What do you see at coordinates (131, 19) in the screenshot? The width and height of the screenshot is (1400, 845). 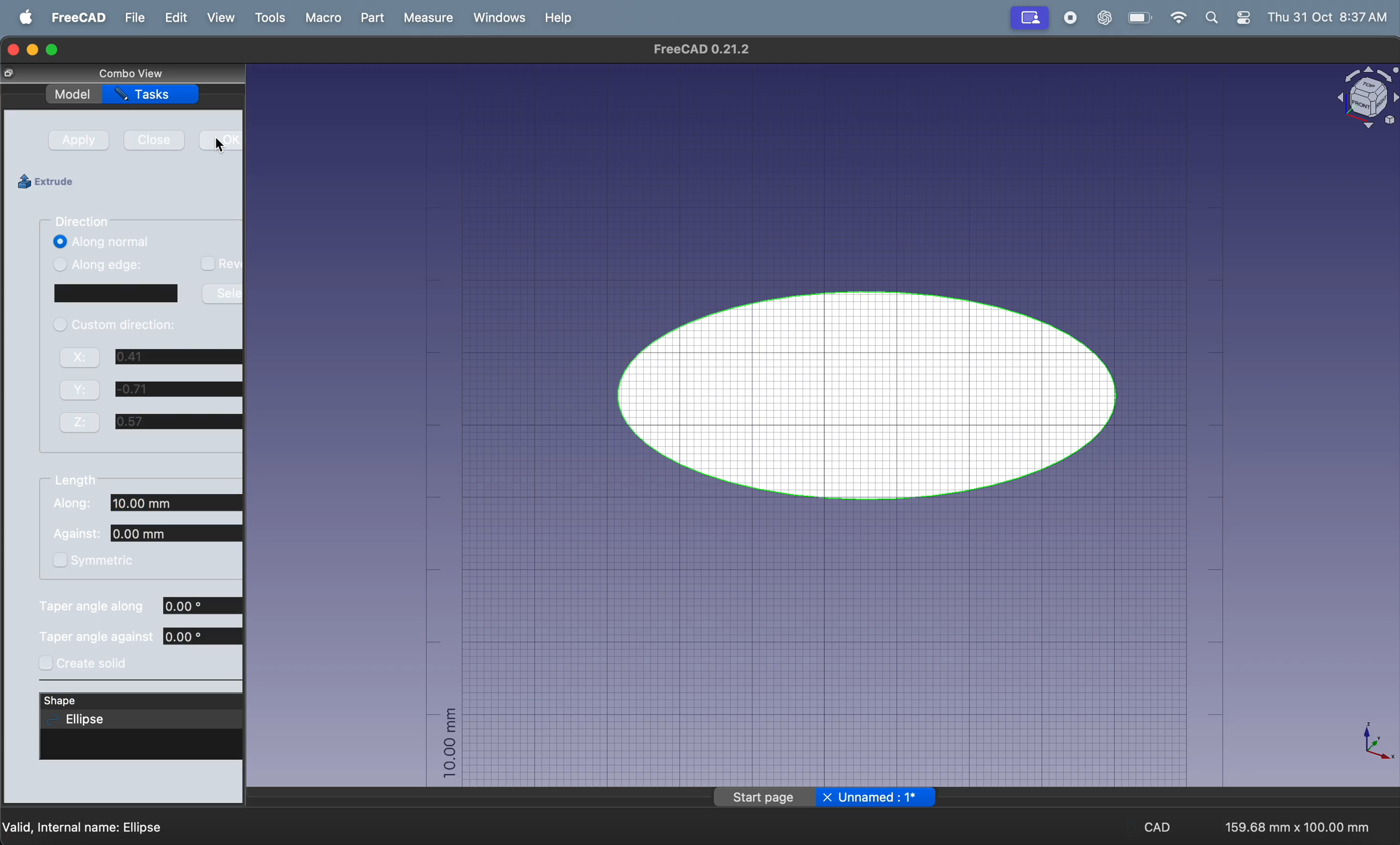 I see `file` at bounding box center [131, 19].